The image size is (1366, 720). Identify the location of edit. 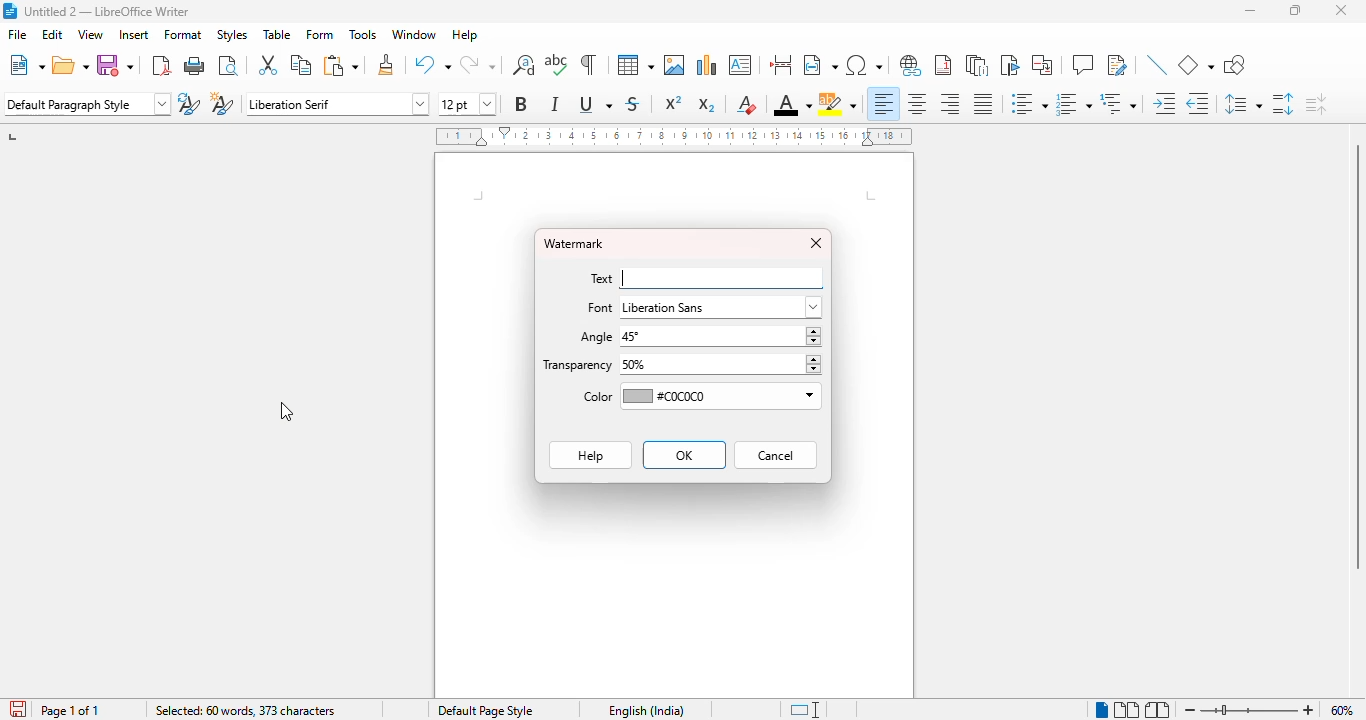
(52, 34).